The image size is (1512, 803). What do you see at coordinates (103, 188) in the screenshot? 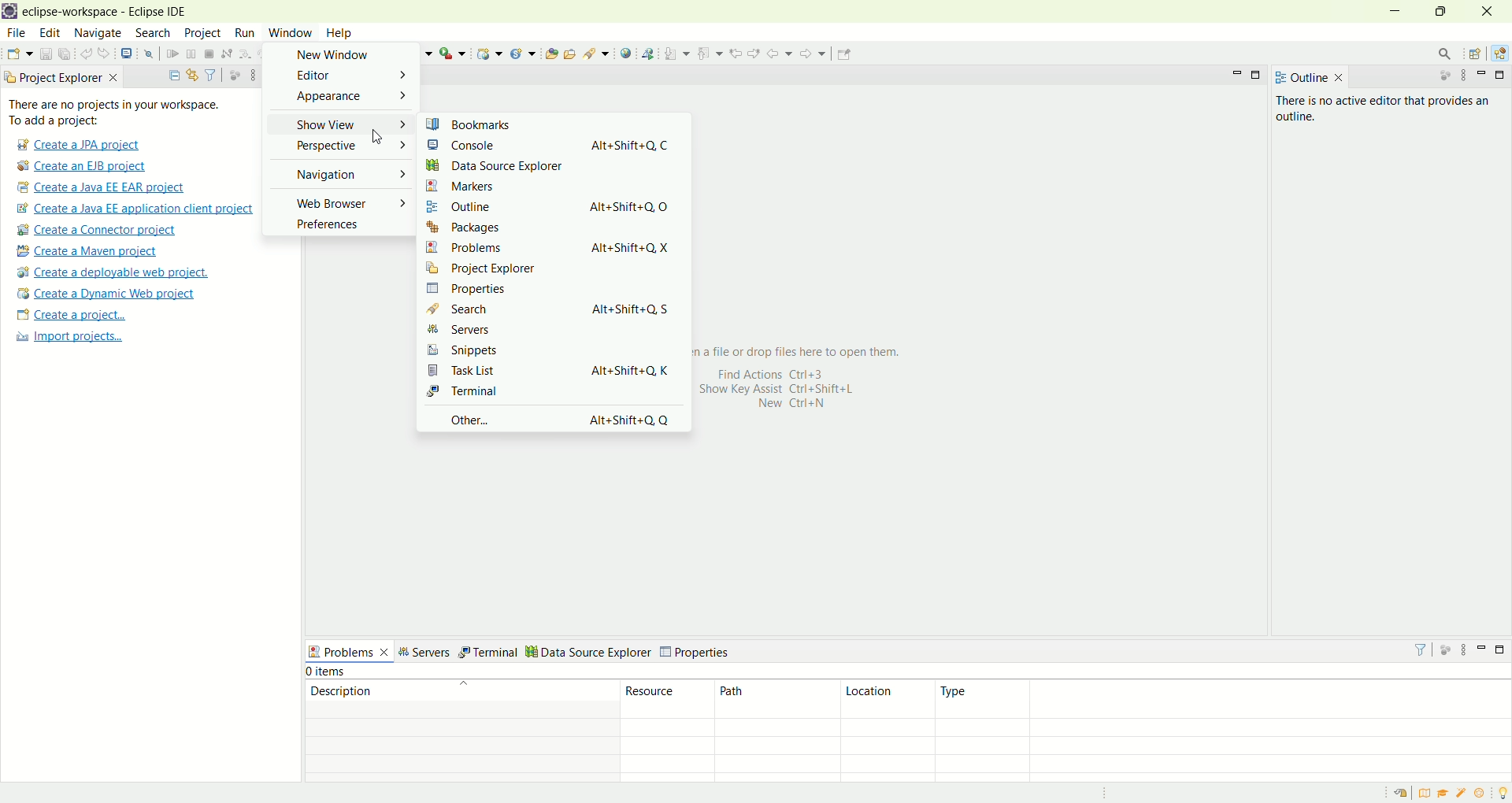
I see `create a Java EE EAR project` at bounding box center [103, 188].